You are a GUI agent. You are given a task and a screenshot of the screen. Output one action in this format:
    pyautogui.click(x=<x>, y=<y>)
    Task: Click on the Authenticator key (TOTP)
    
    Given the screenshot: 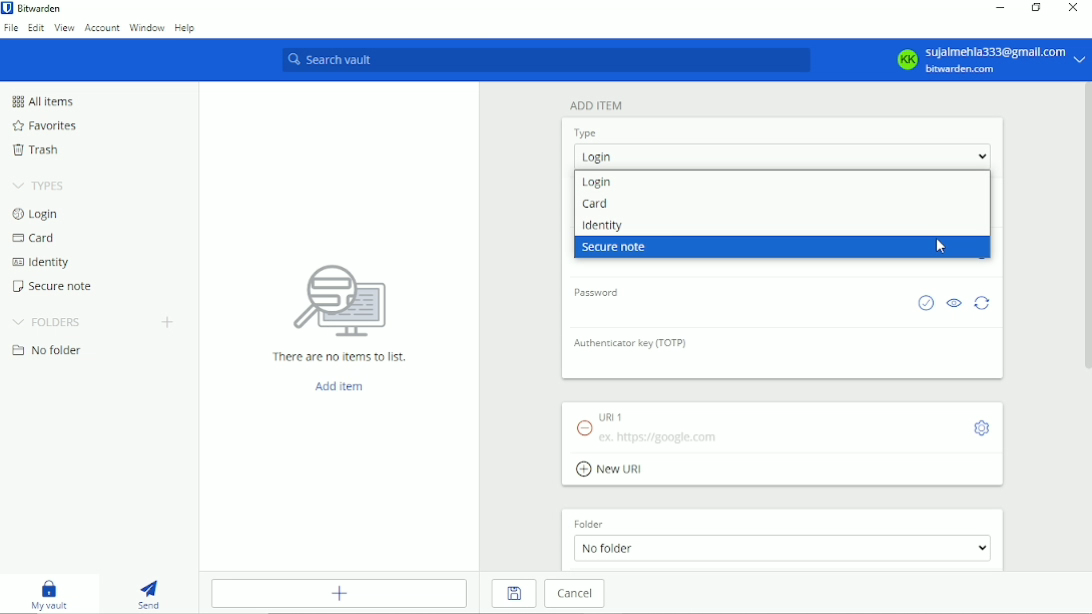 What is the action you would take?
    pyautogui.click(x=635, y=347)
    